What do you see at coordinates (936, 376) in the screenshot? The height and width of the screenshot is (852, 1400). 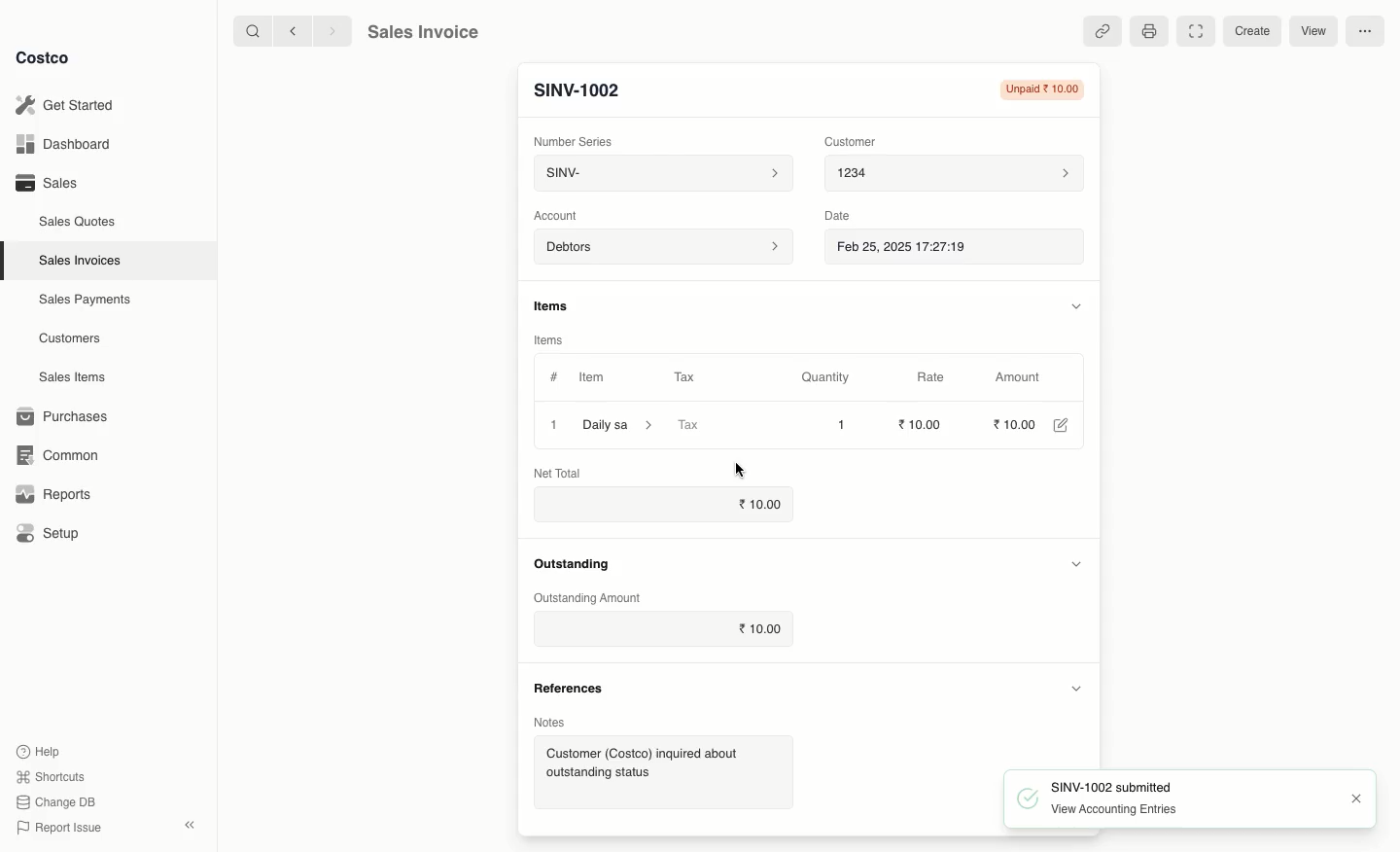 I see `Rate` at bounding box center [936, 376].